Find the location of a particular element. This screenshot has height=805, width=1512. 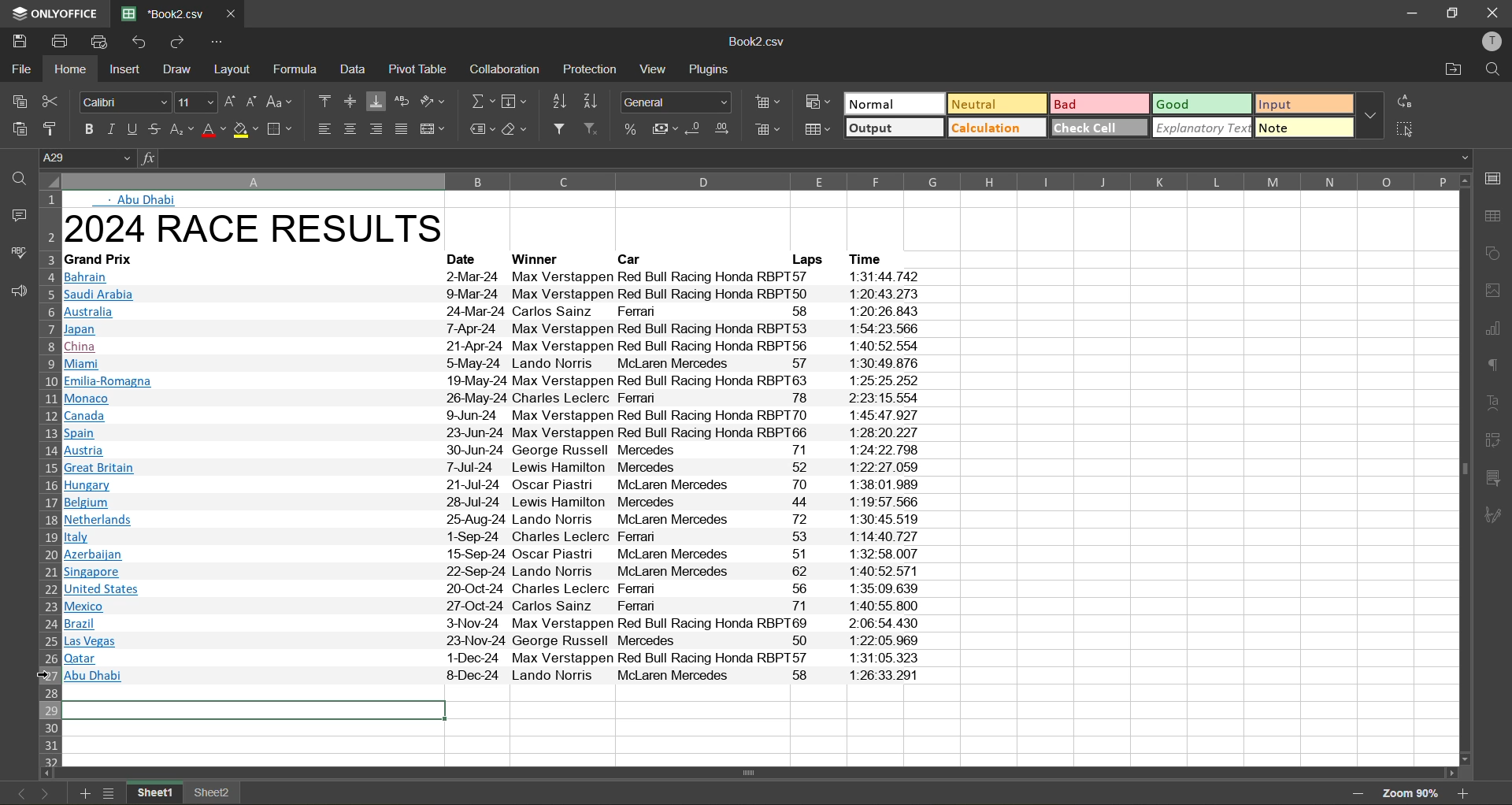

text info is located at coordinates (539, 260).